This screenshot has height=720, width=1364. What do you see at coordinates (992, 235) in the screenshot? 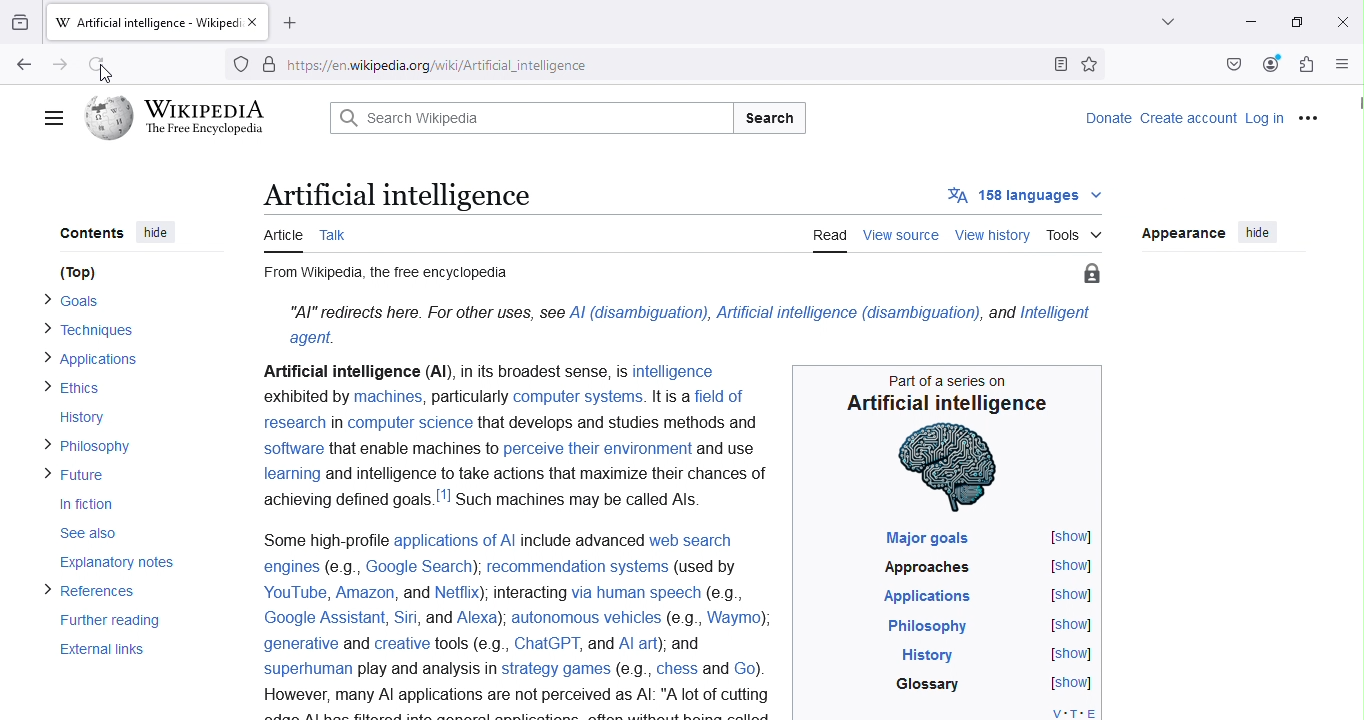
I see `View history` at bounding box center [992, 235].